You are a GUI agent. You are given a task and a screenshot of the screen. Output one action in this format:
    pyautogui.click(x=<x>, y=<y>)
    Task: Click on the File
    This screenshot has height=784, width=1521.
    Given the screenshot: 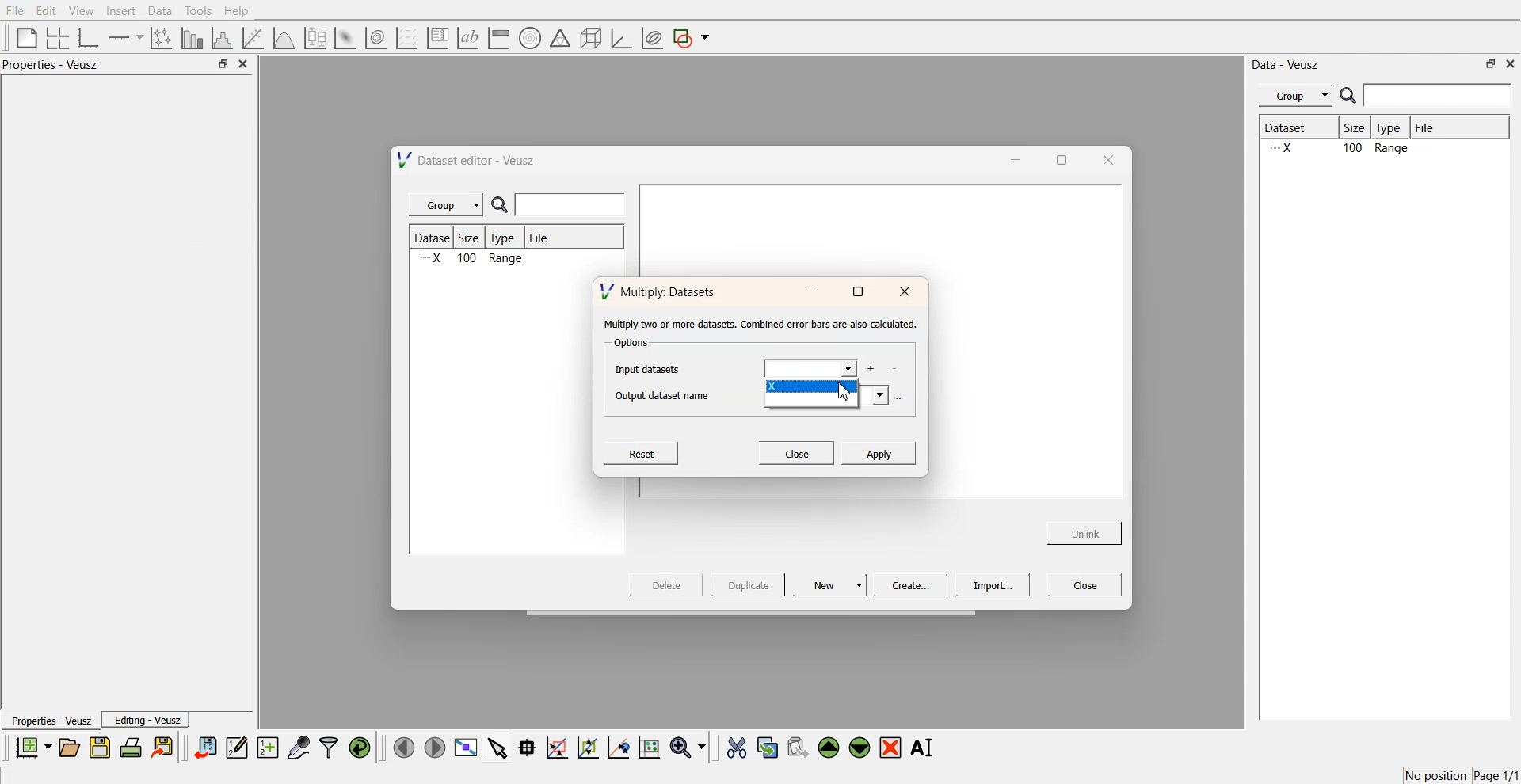 What is the action you would take?
    pyautogui.click(x=540, y=240)
    